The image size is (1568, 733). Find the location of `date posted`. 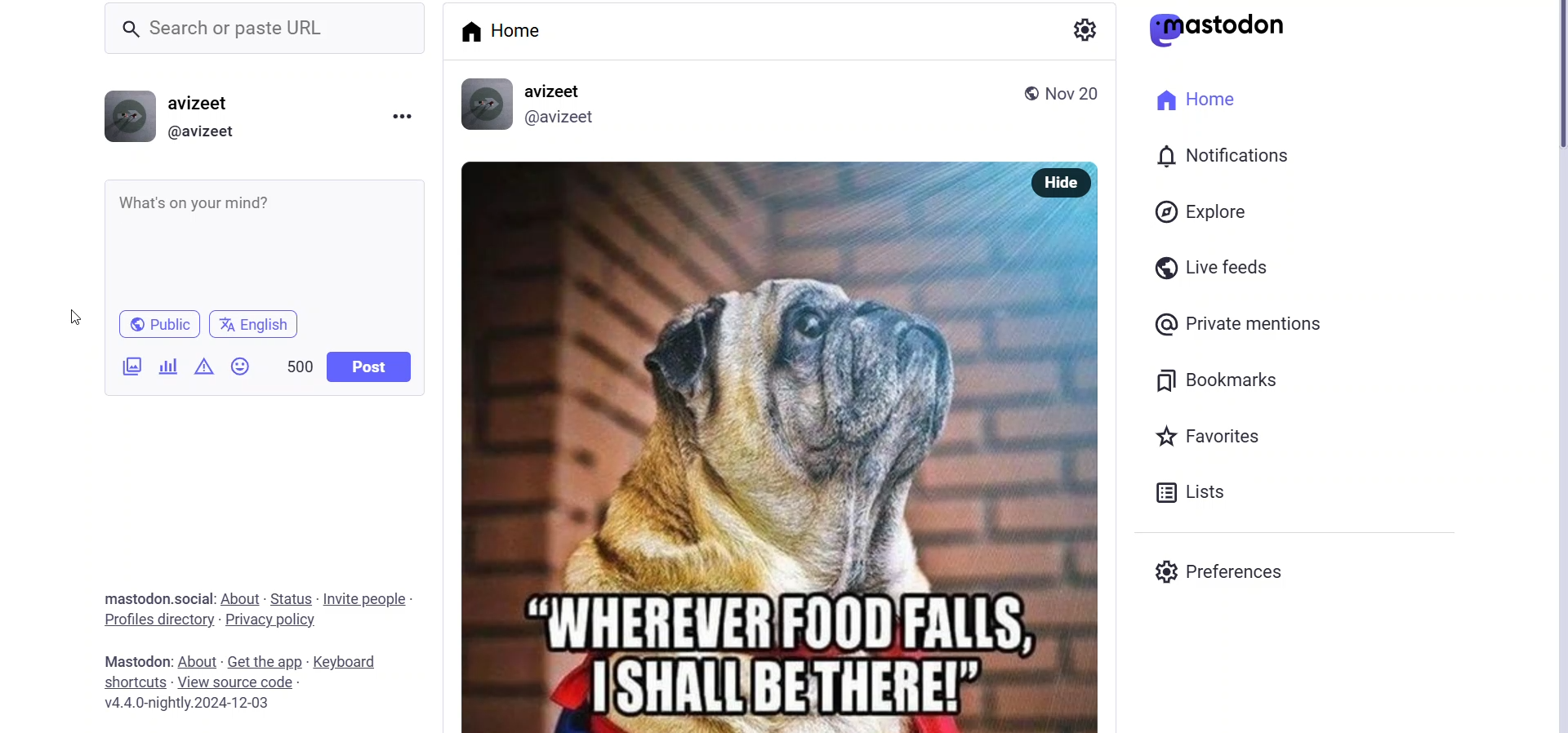

date posted is located at coordinates (1078, 97).